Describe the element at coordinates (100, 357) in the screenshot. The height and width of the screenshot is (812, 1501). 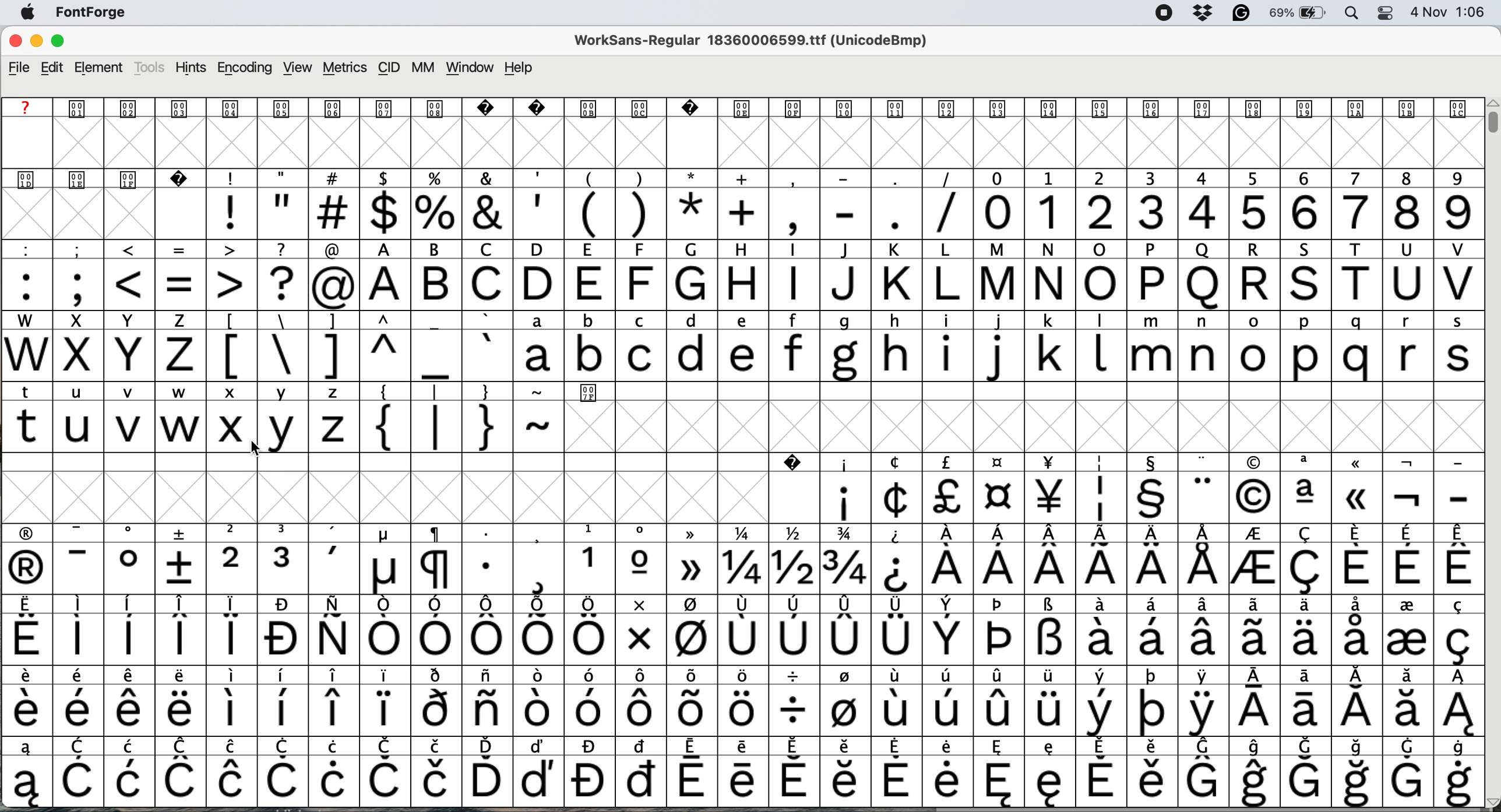
I see `capital letters w to z` at that location.